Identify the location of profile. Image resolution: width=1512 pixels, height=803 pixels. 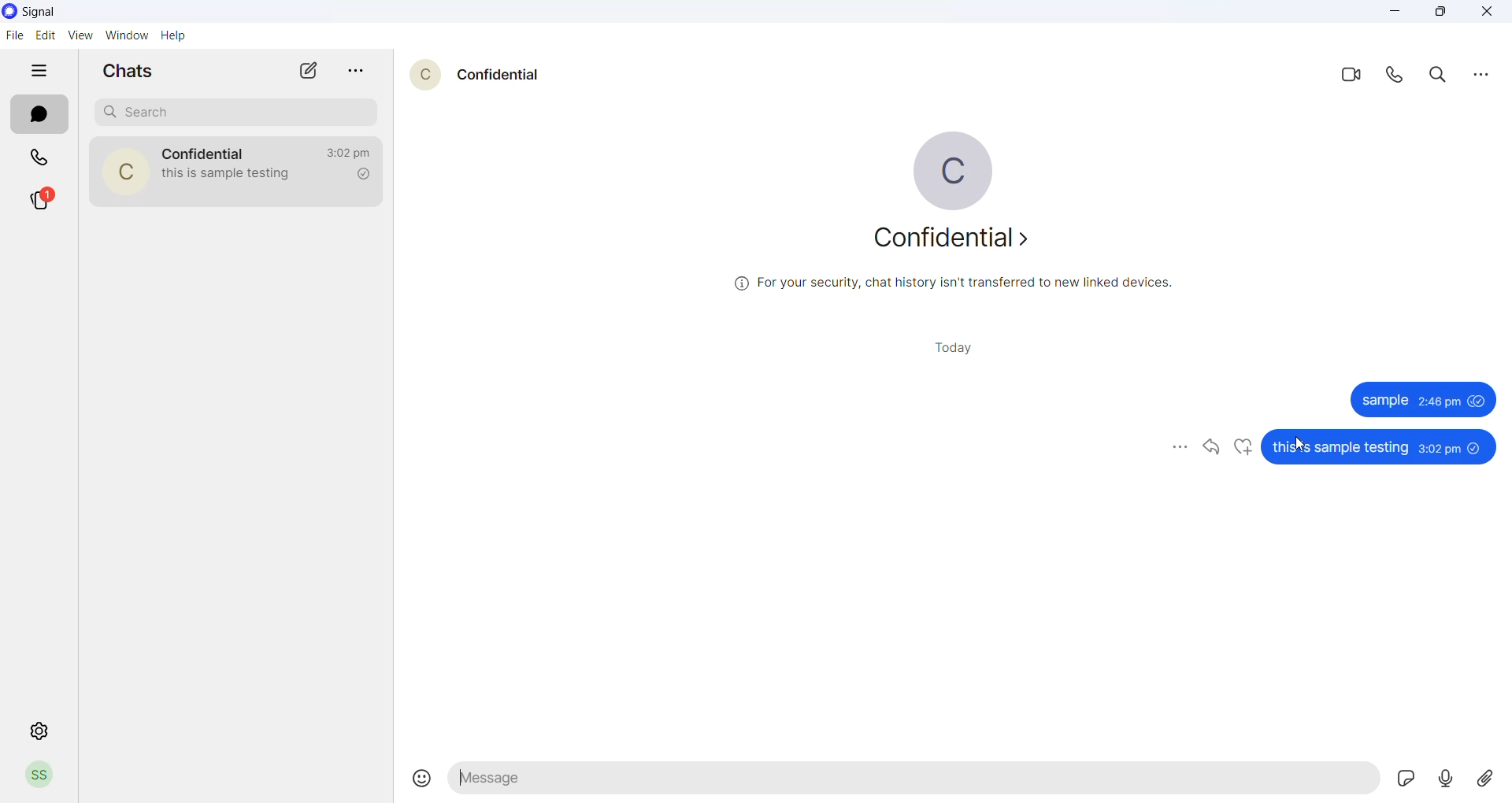
(39, 776).